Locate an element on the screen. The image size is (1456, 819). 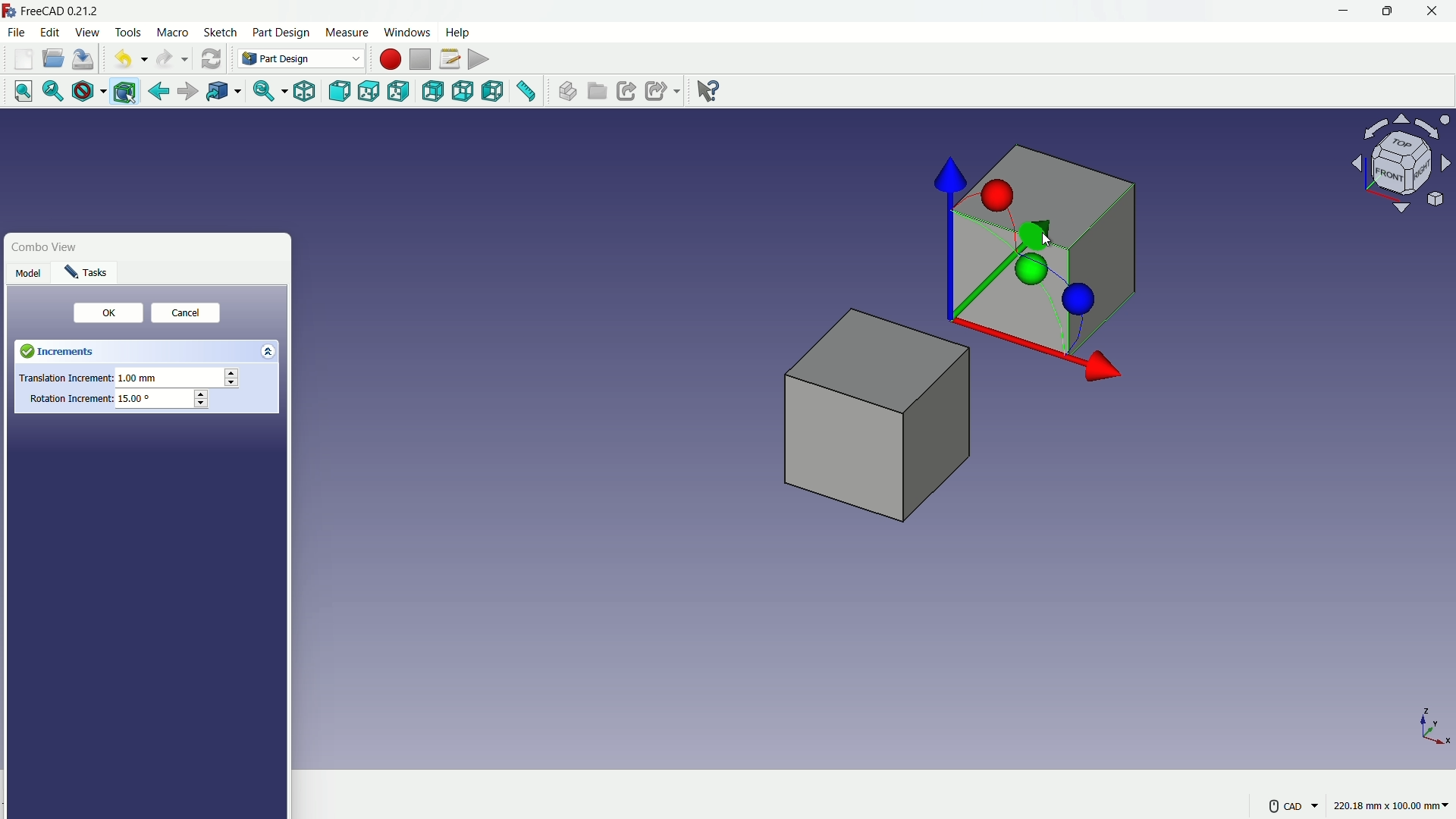
15.00 is located at coordinates (135, 398).